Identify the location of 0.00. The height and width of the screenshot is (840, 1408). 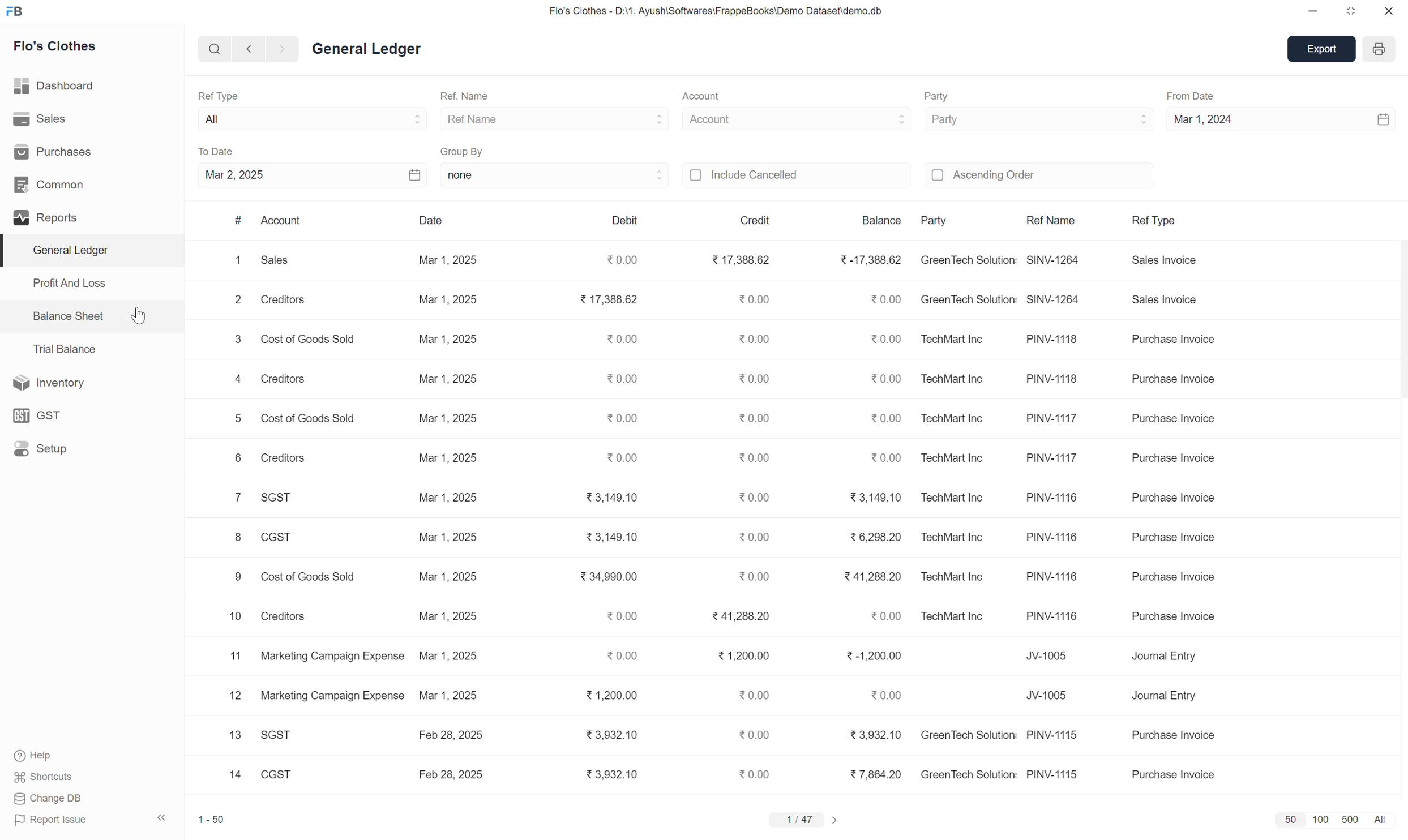
(617, 260).